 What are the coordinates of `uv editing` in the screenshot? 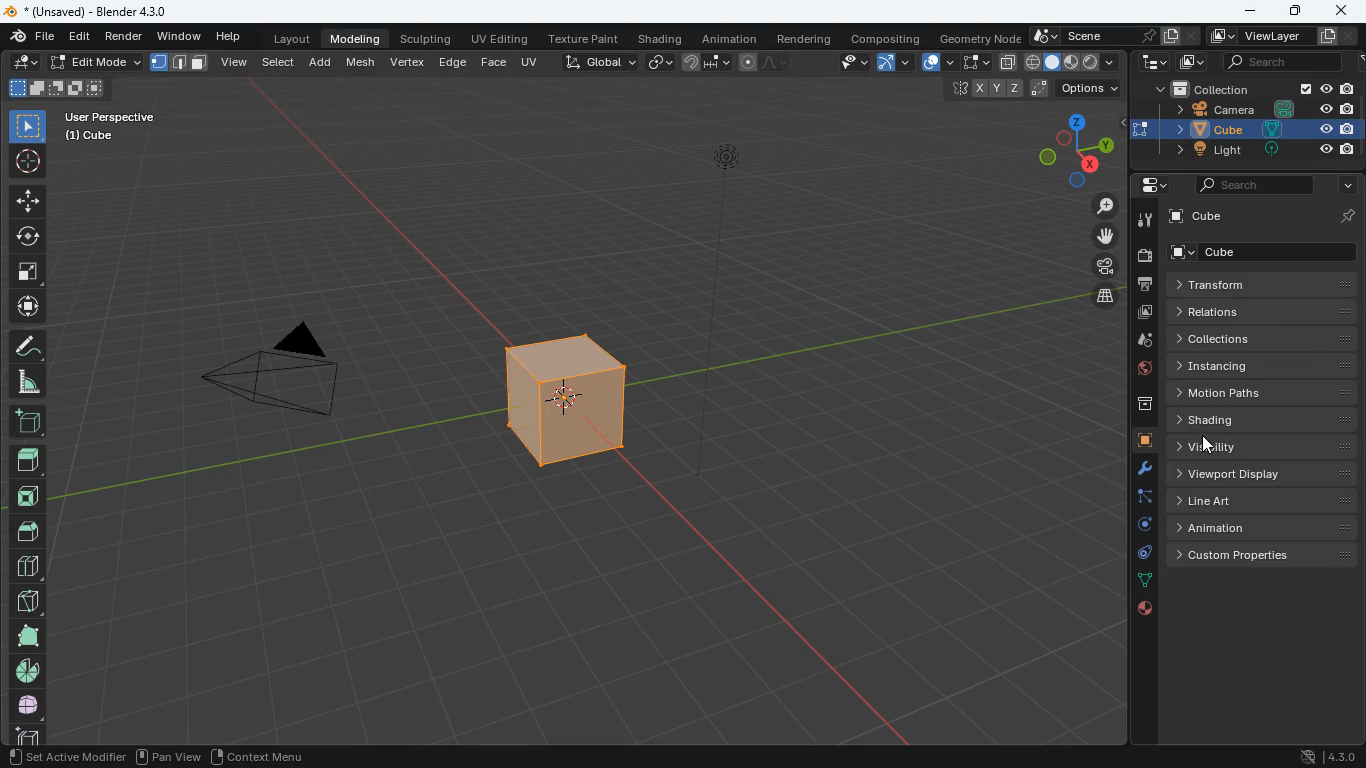 It's located at (501, 40).